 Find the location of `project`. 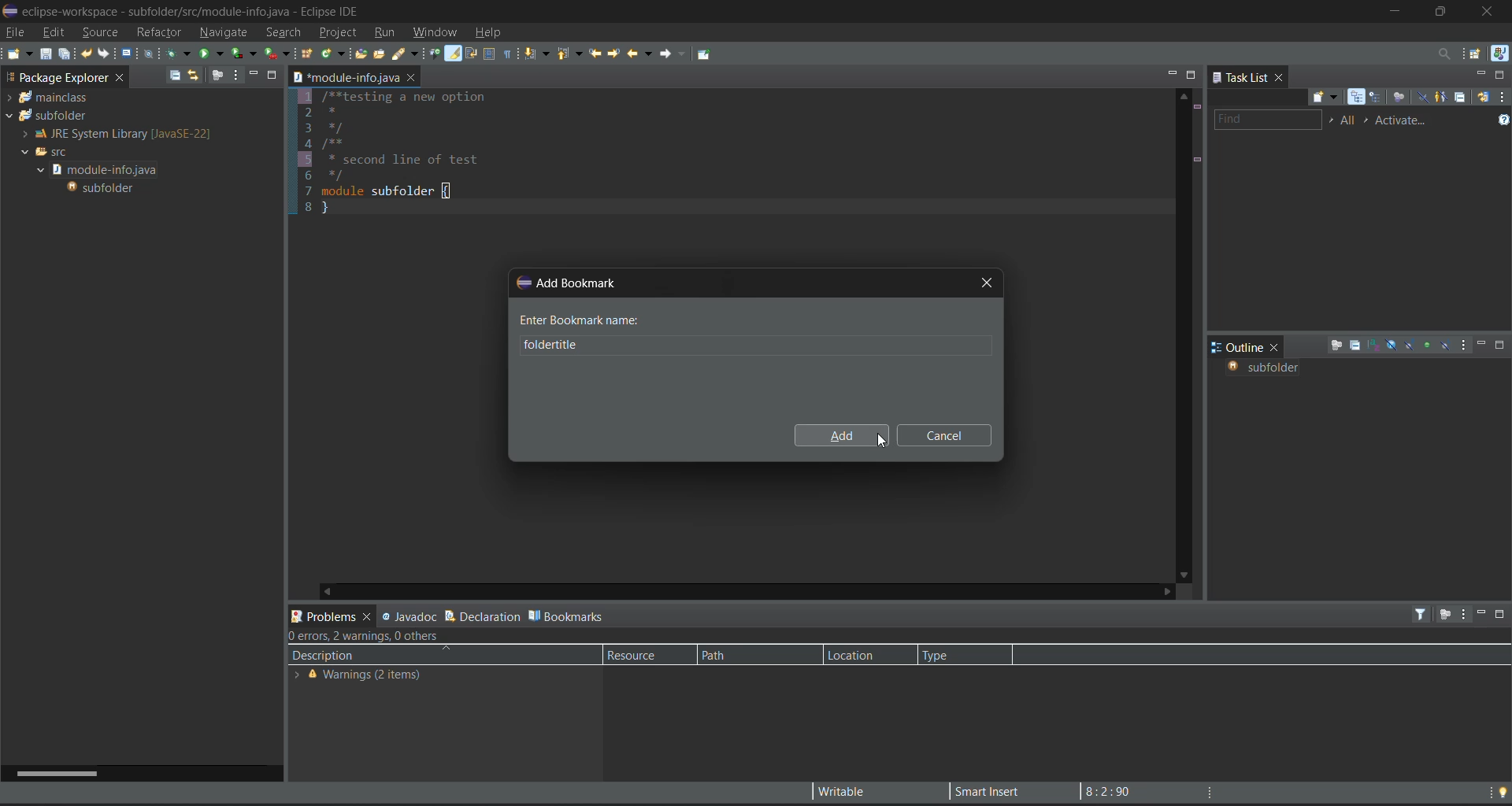

project is located at coordinates (338, 31).